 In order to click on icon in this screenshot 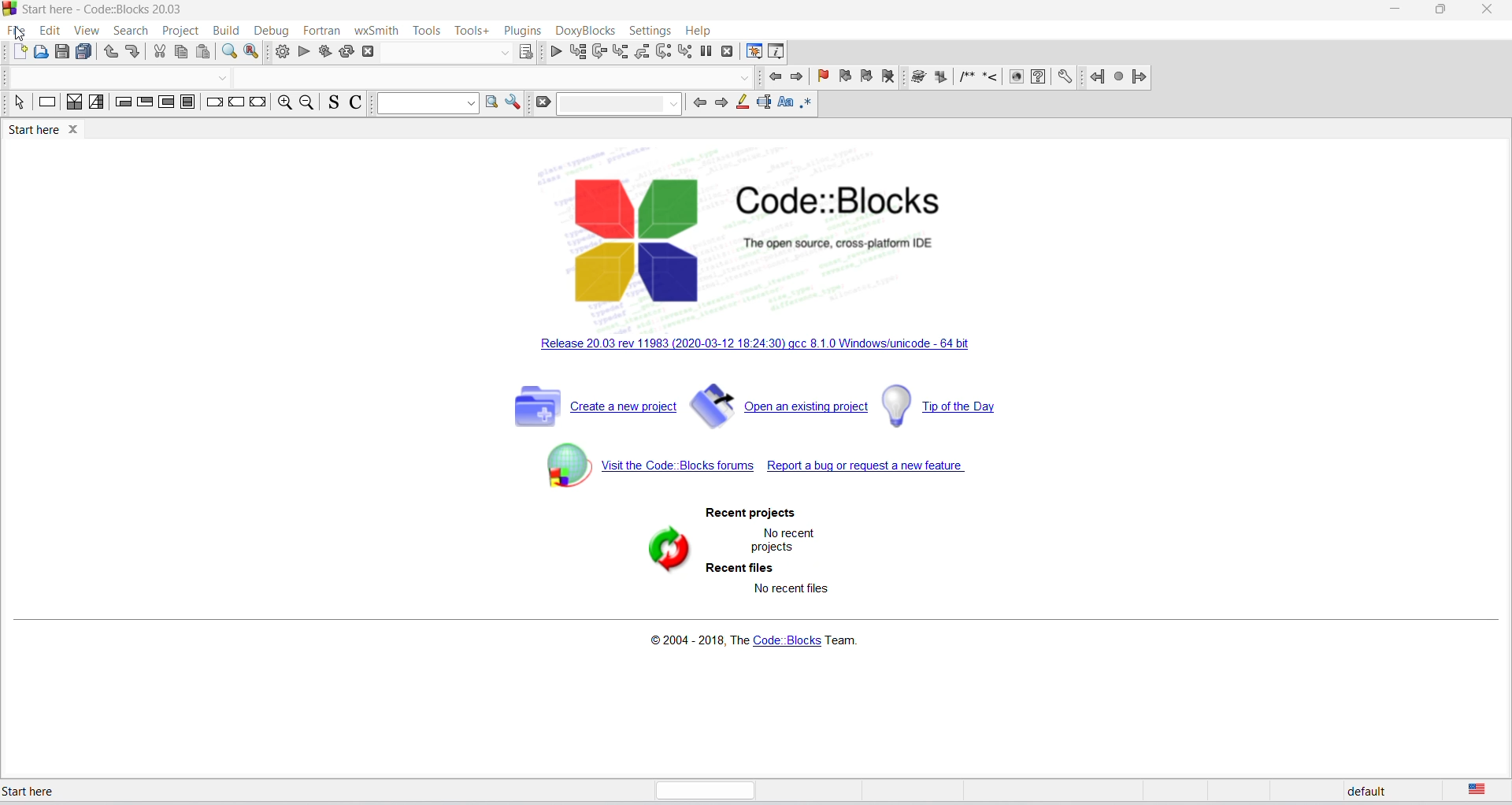, I will do `click(1014, 79)`.